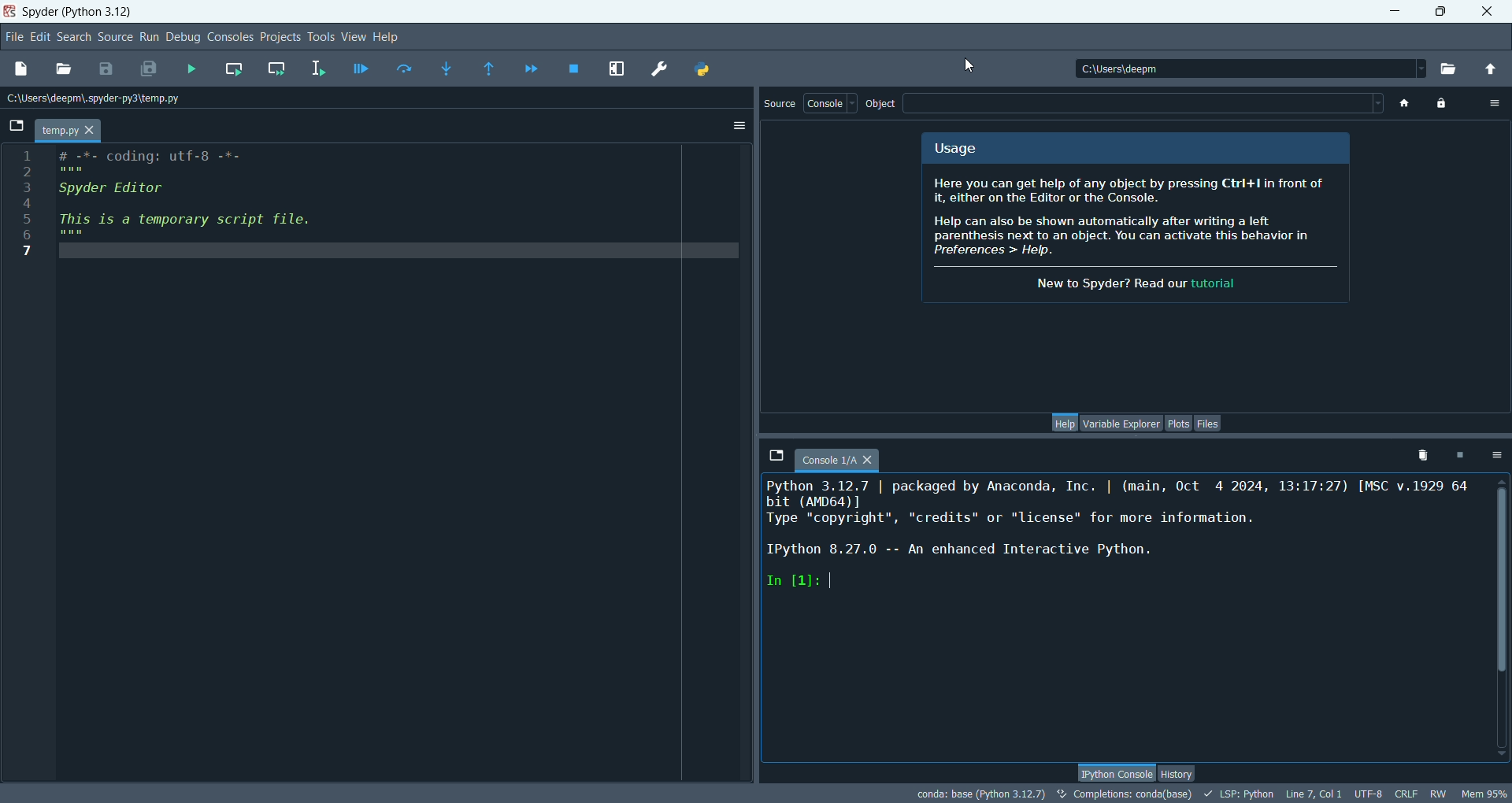 Image resolution: width=1512 pixels, height=803 pixels. I want to click on run selection, so click(319, 68).